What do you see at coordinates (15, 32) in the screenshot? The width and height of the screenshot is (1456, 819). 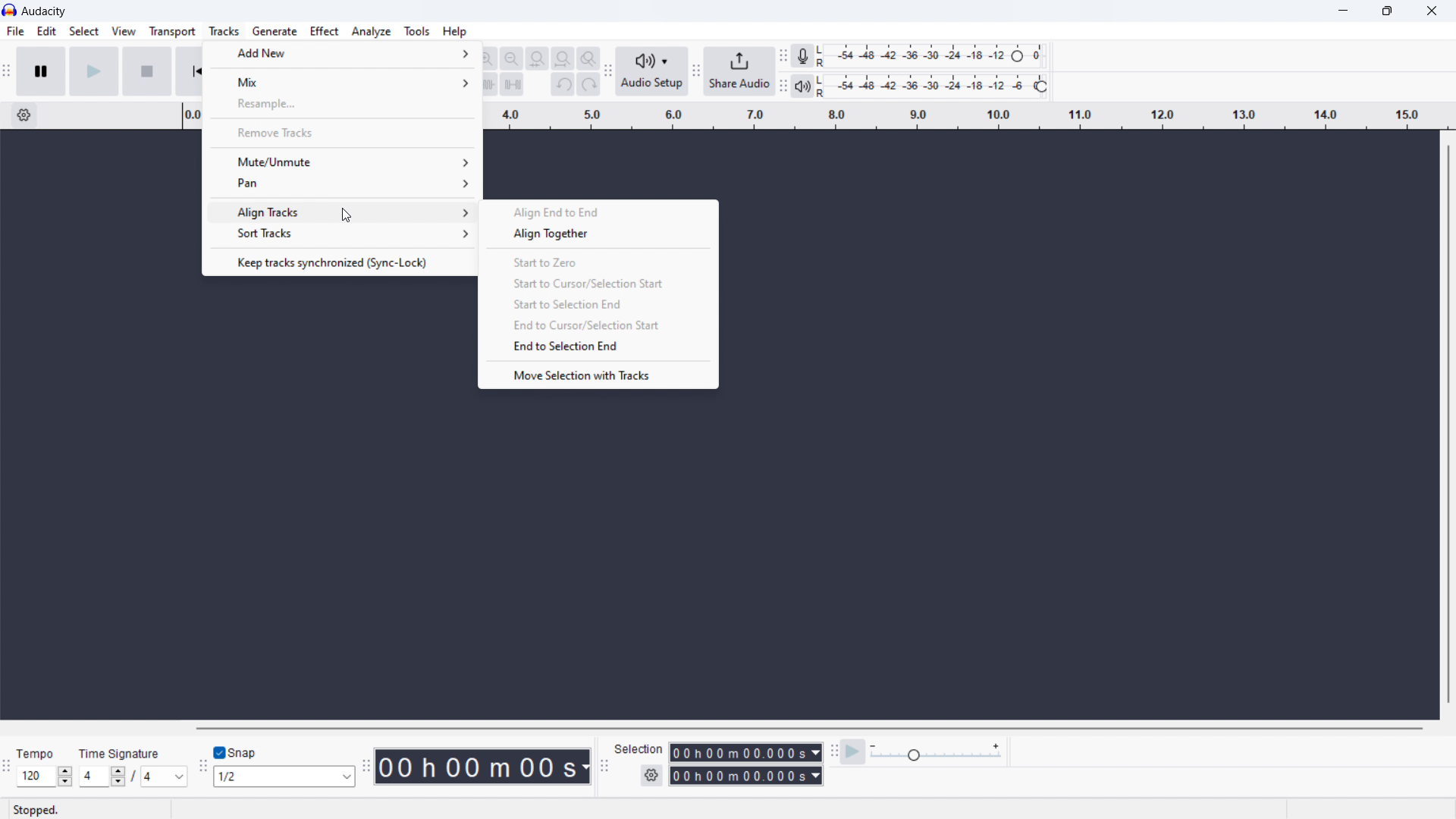 I see `file` at bounding box center [15, 32].